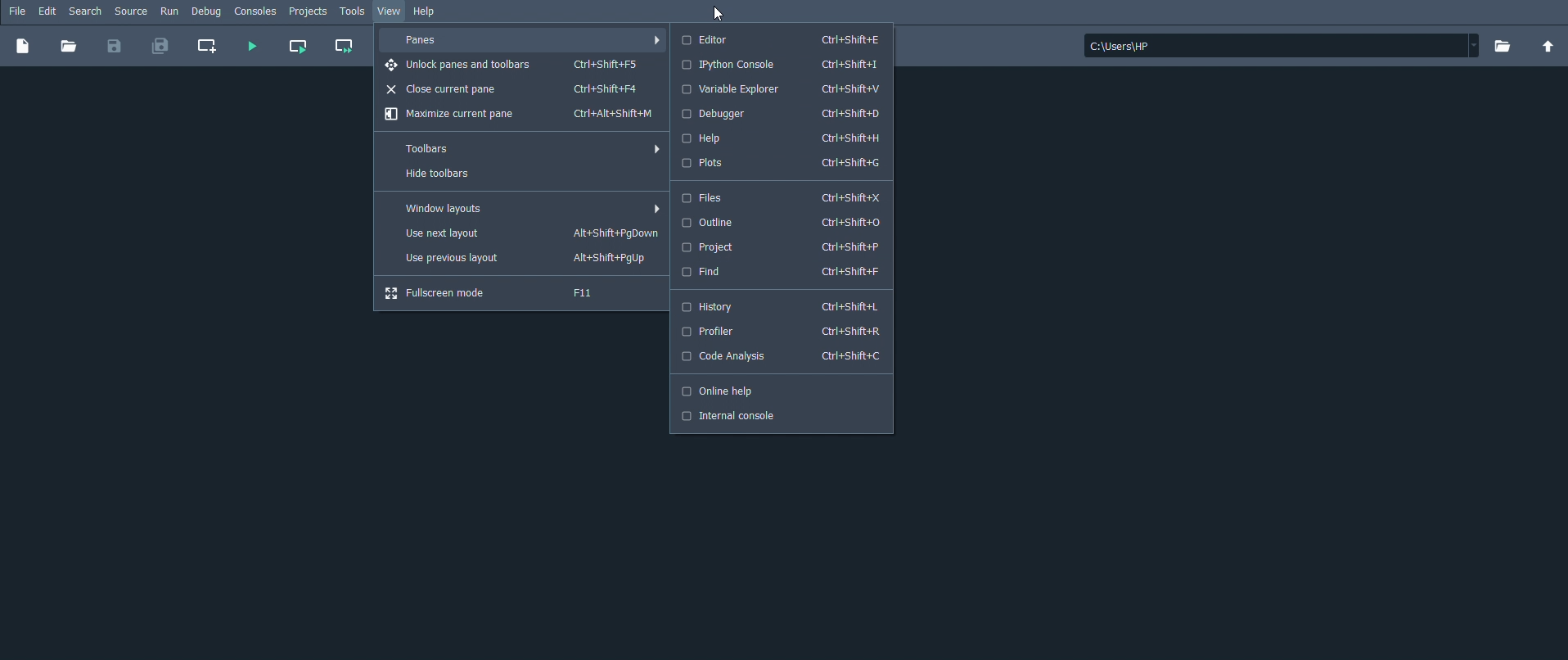 The height and width of the screenshot is (660, 1568). What do you see at coordinates (522, 114) in the screenshot?
I see `Maximize current pane` at bounding box center [522, 114].